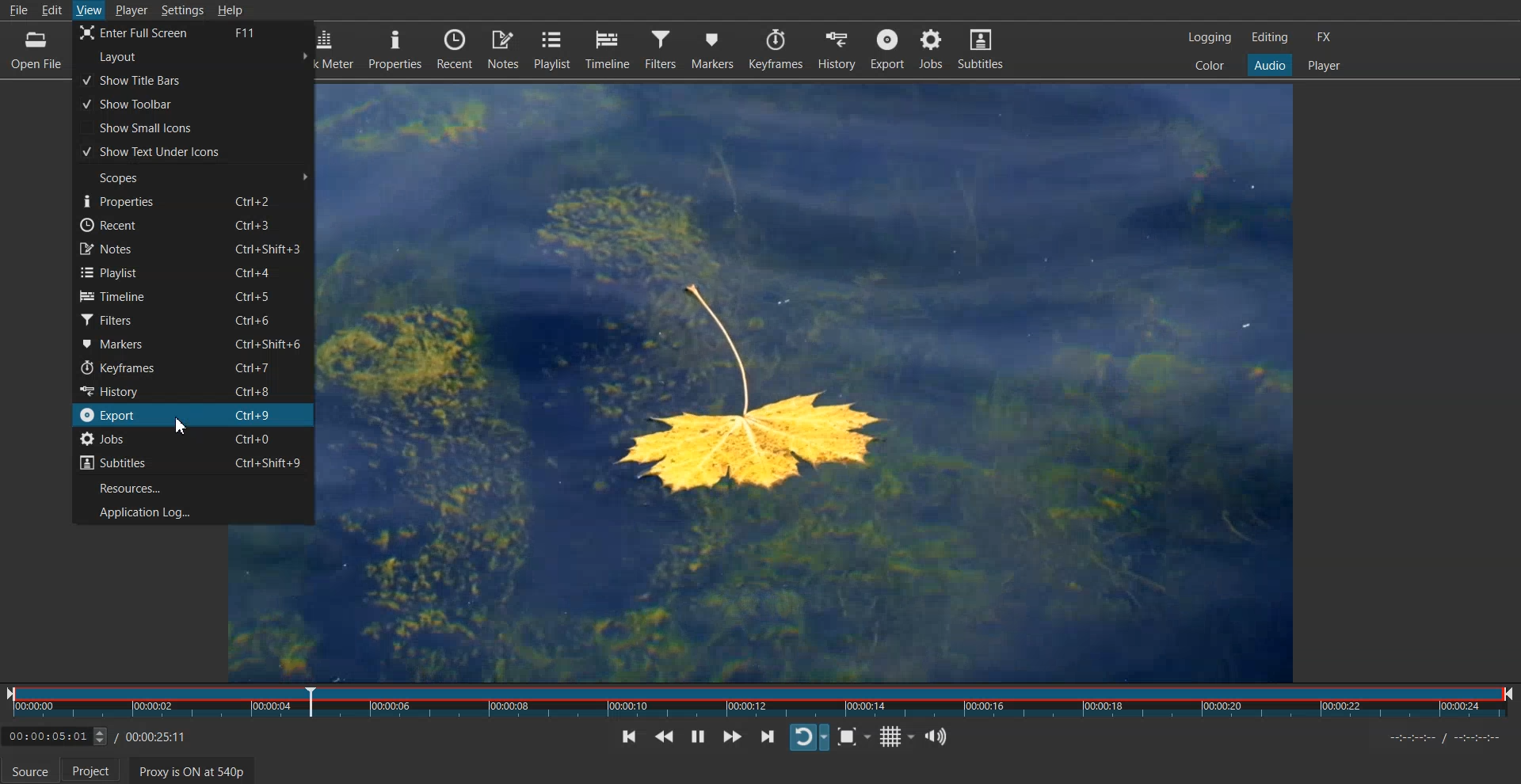  I want to click on File, so click(20, 11).